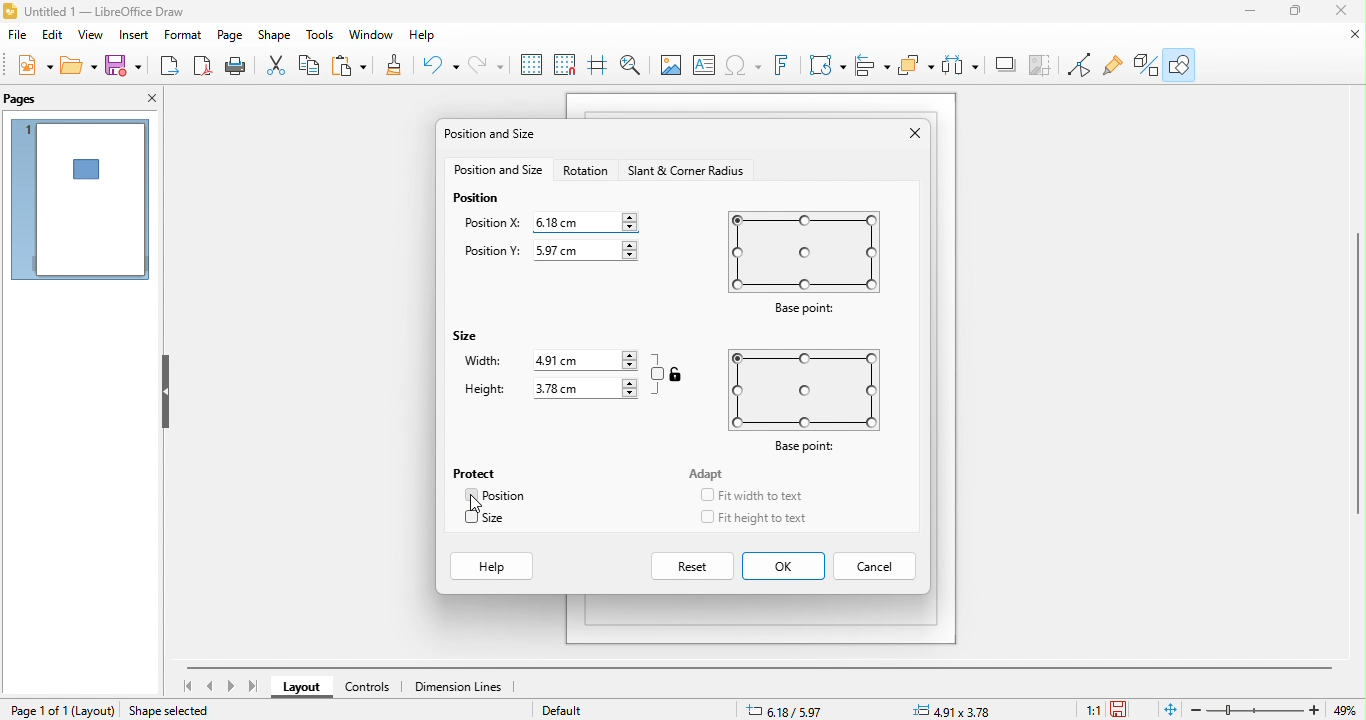  I want to click on select at least three object to distribute, so click(917, 65).